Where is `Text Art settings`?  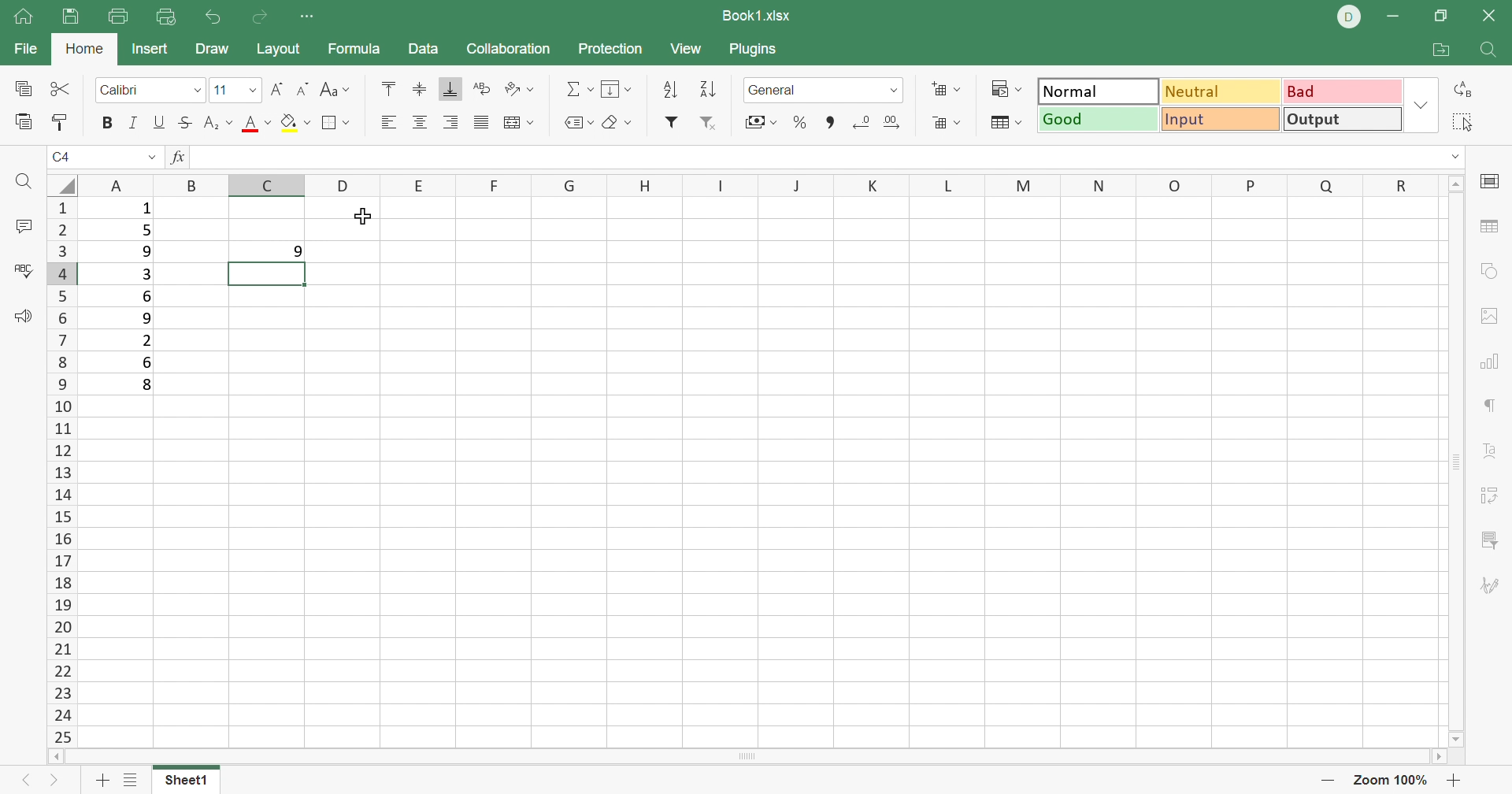 Text Art settings is located at coordinates (1492, 451).